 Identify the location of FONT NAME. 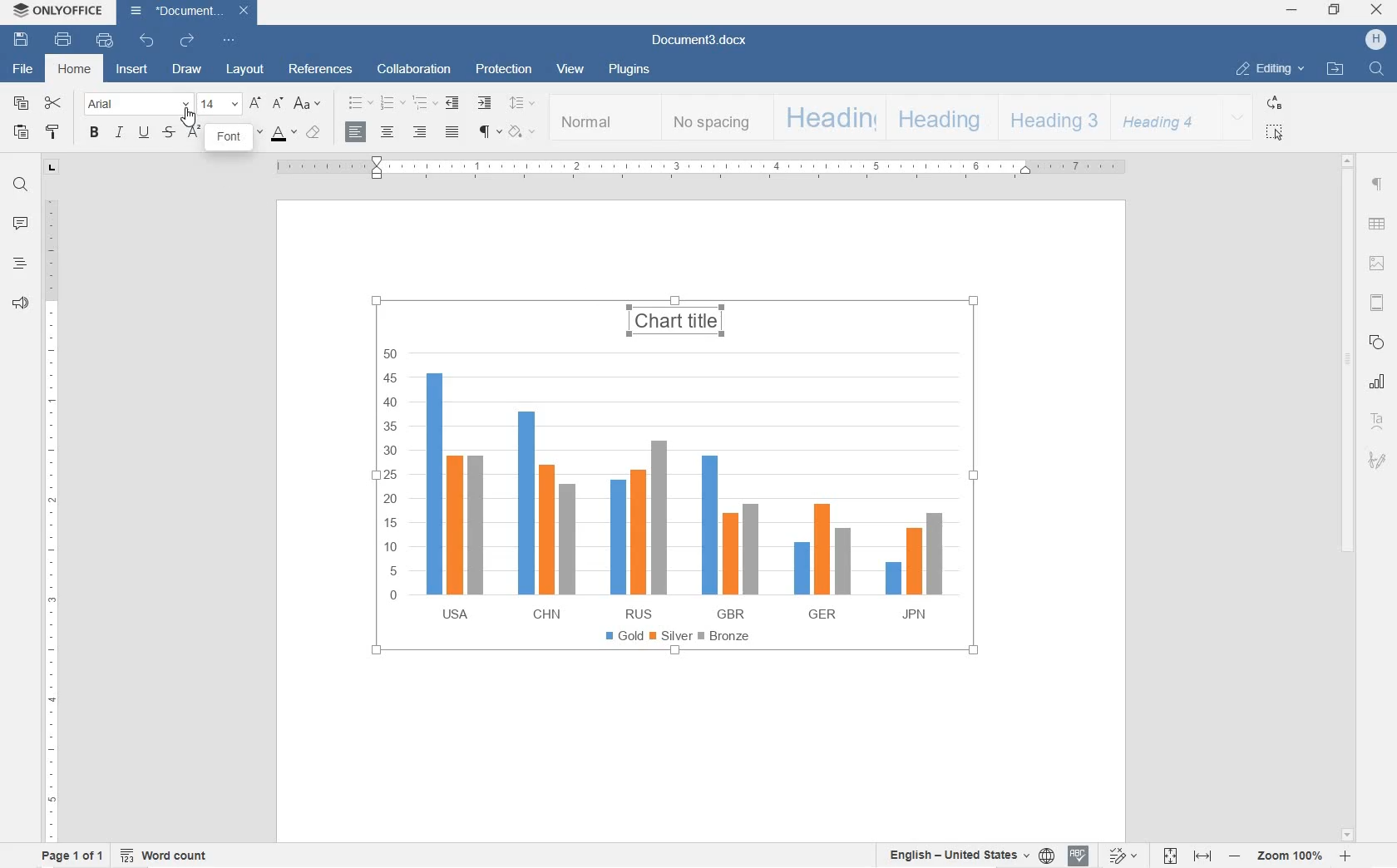
(137, 104).